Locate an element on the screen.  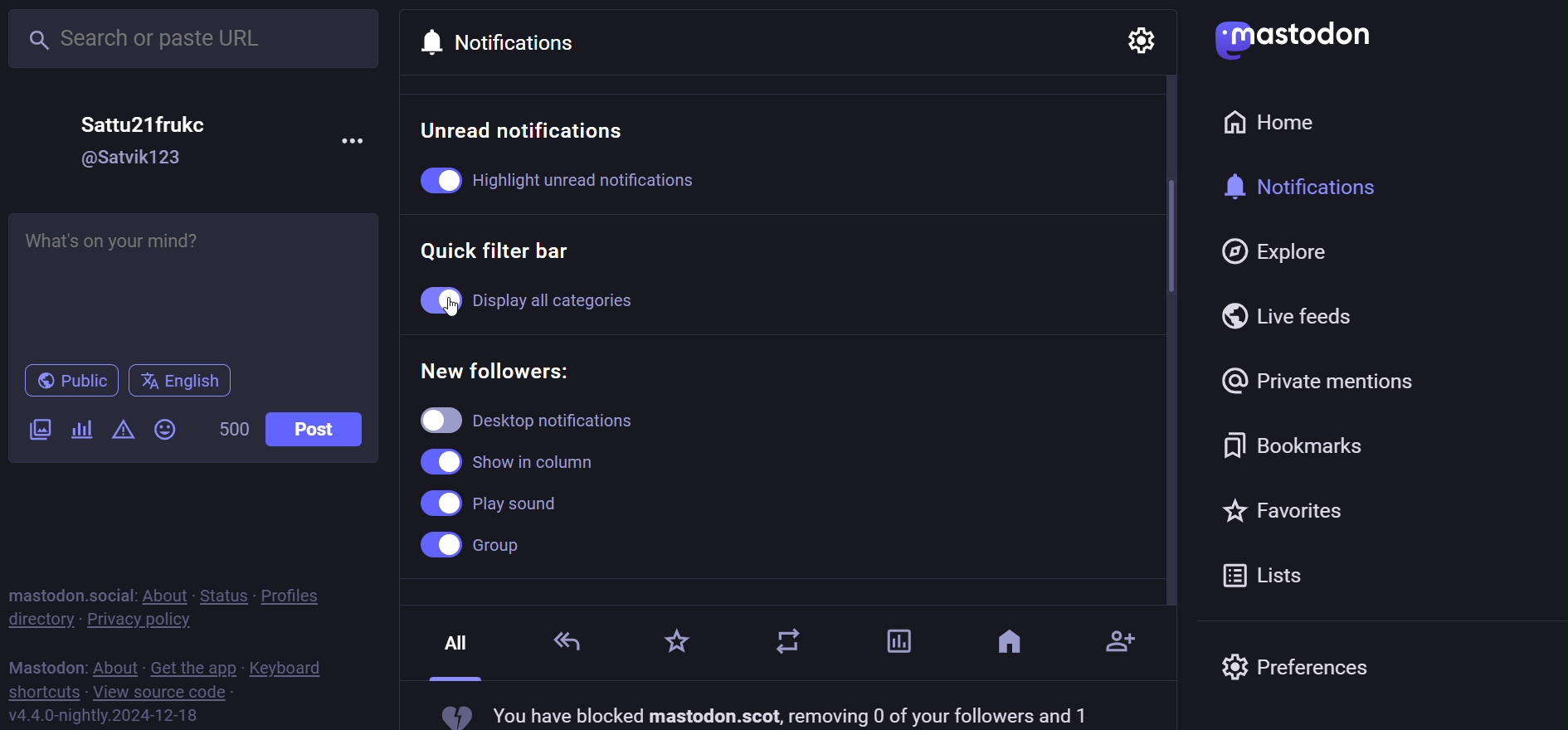
notification is located at coordinates (1313, 187).